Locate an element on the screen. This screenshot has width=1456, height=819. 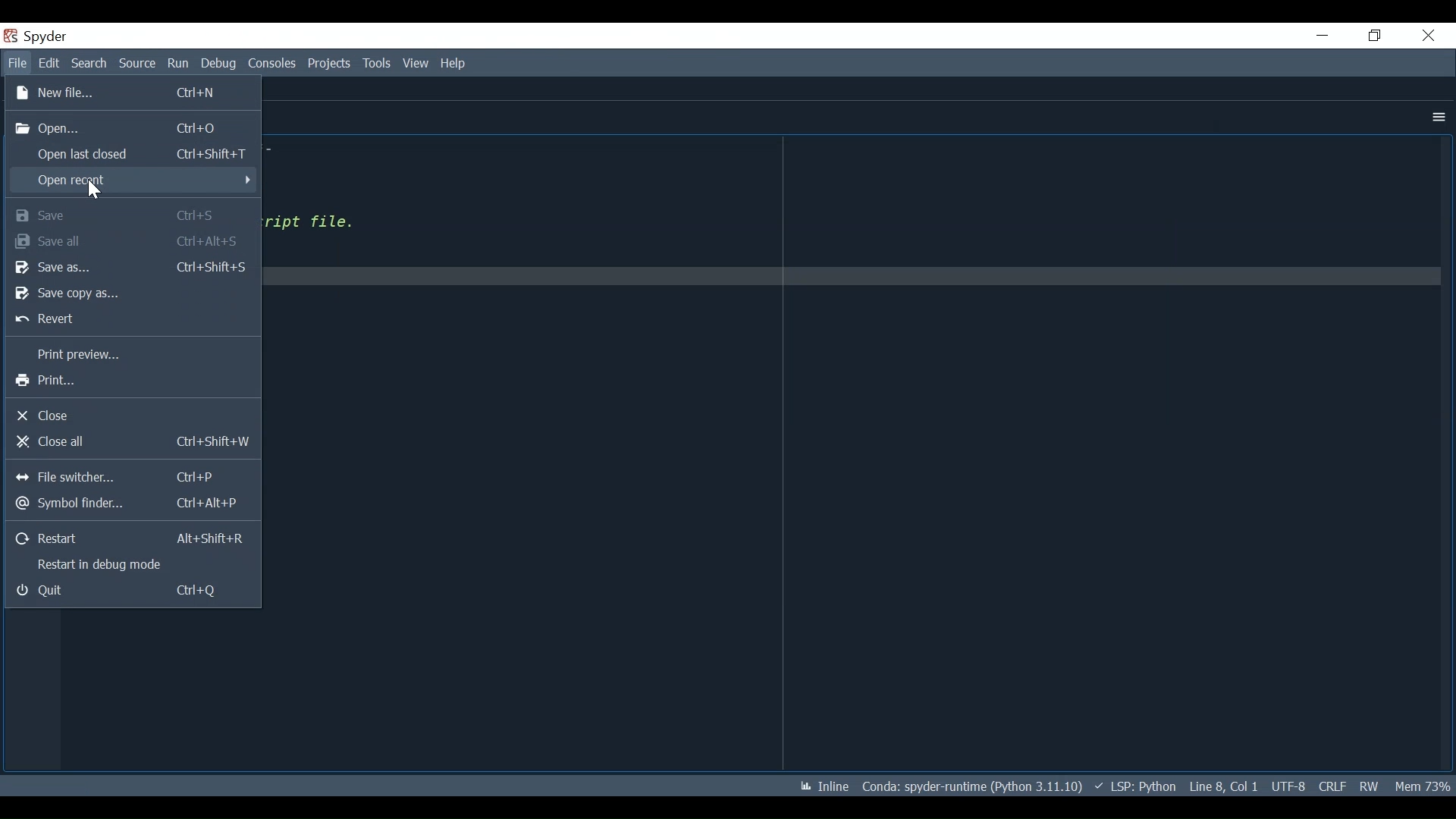
Inline is located at coordinates (821, 785).